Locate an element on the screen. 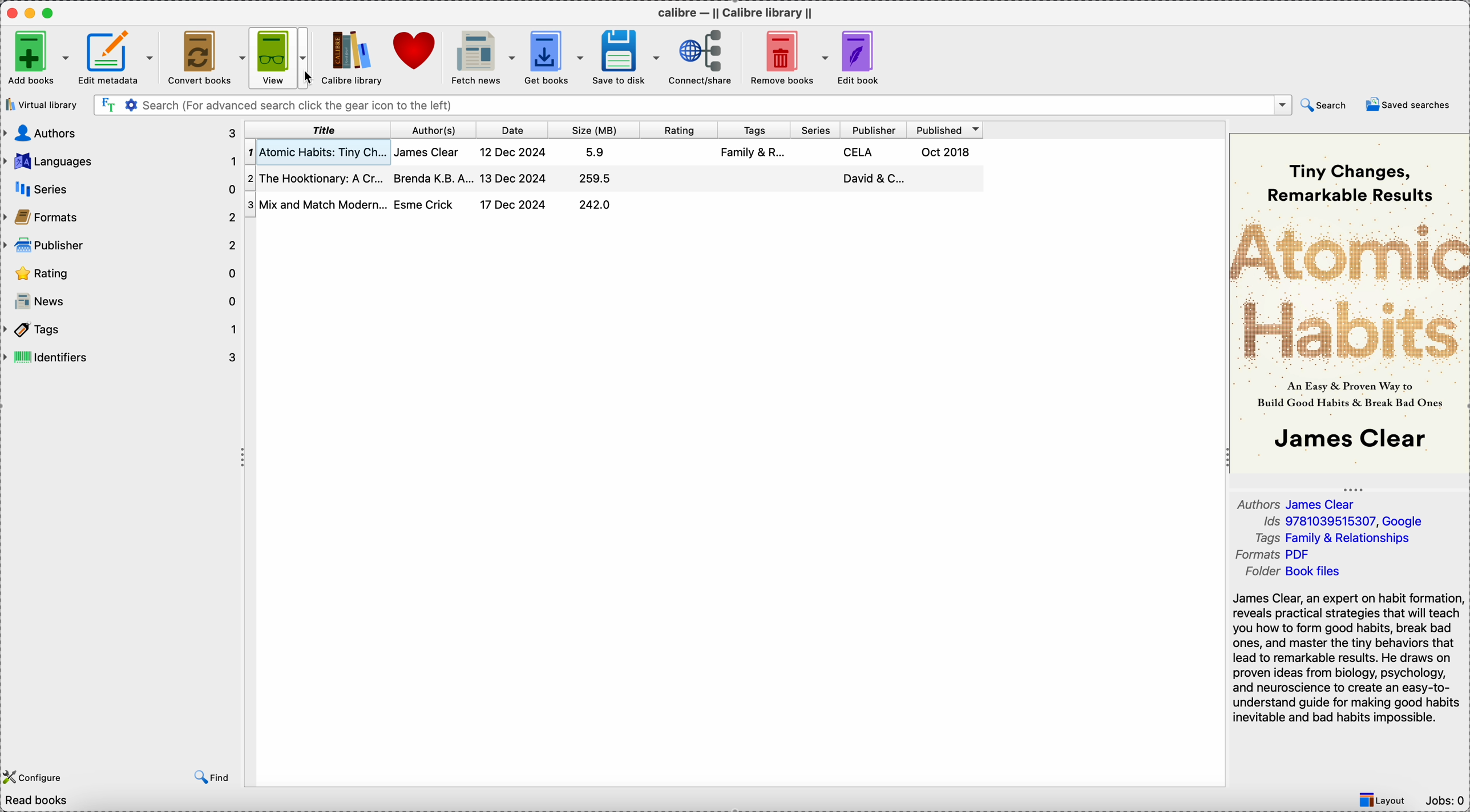 The height and width of the screenshot is (812, 1470). calibre - || Calibre library || is located at coordinates (737, 11).